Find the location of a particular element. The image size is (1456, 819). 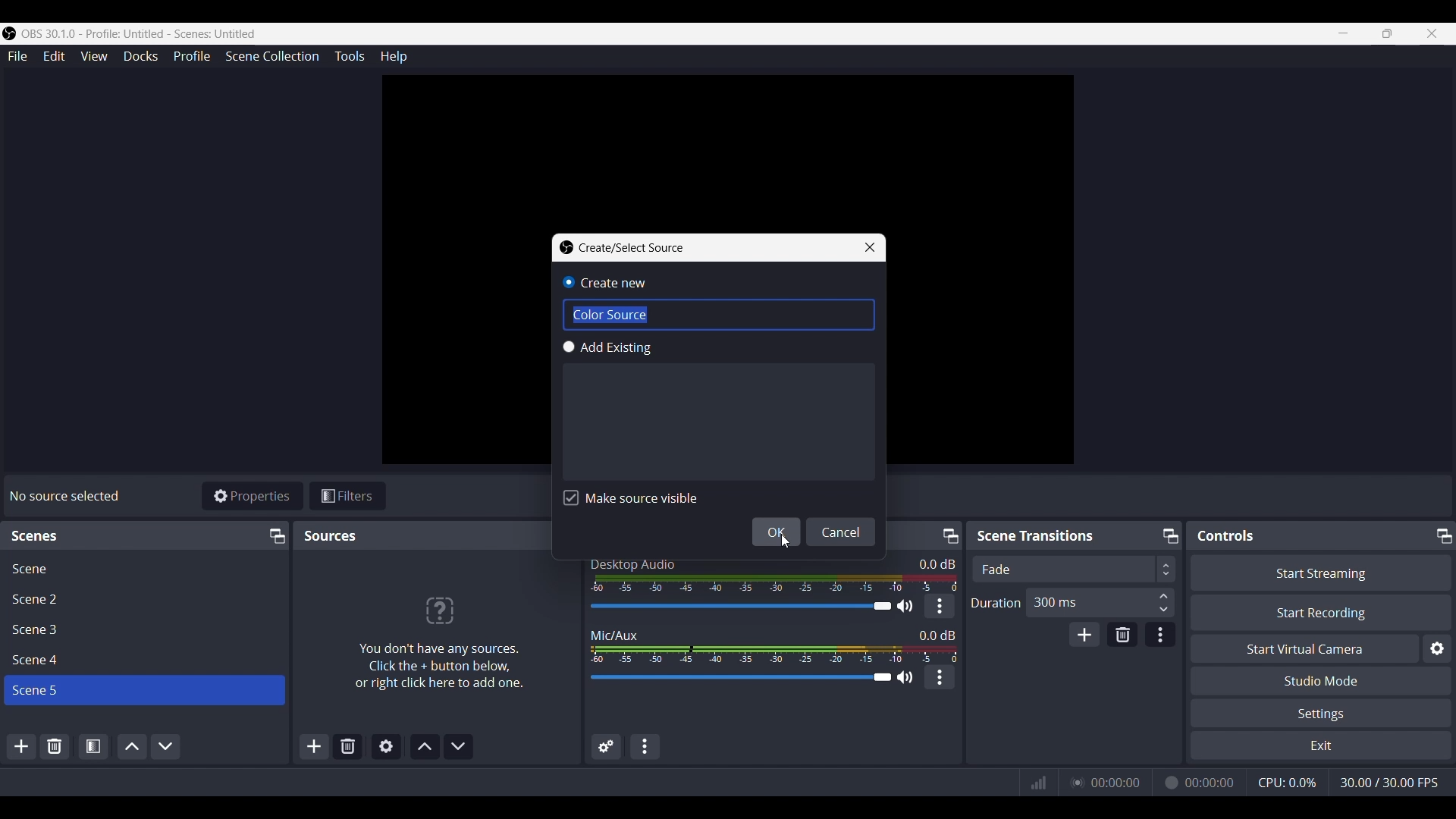

Scene Transition adjuster is located at coordinates (1072, 569).